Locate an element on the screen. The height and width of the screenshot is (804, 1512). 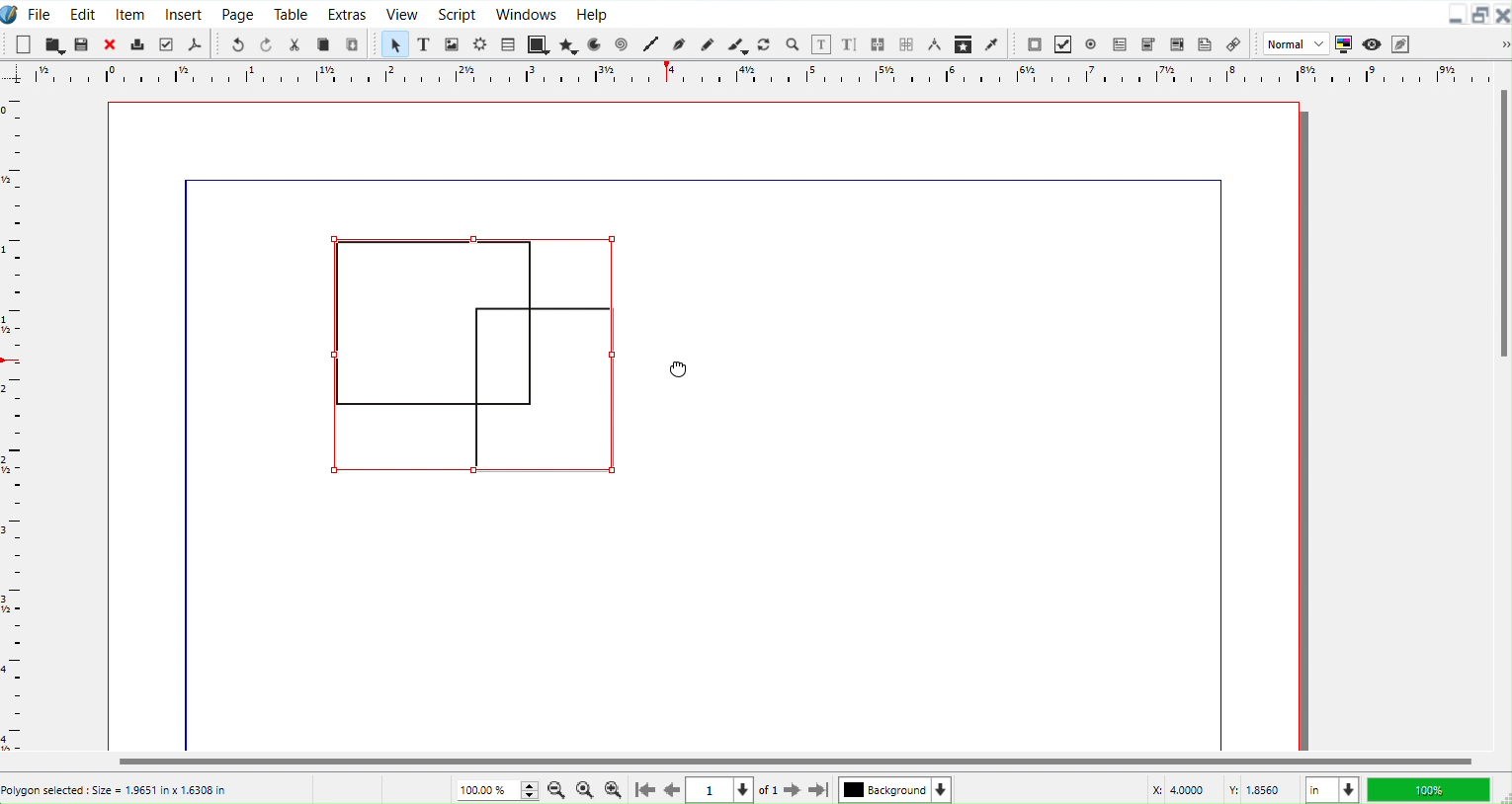
Shapes are selected is located at coordinates (472, 356).